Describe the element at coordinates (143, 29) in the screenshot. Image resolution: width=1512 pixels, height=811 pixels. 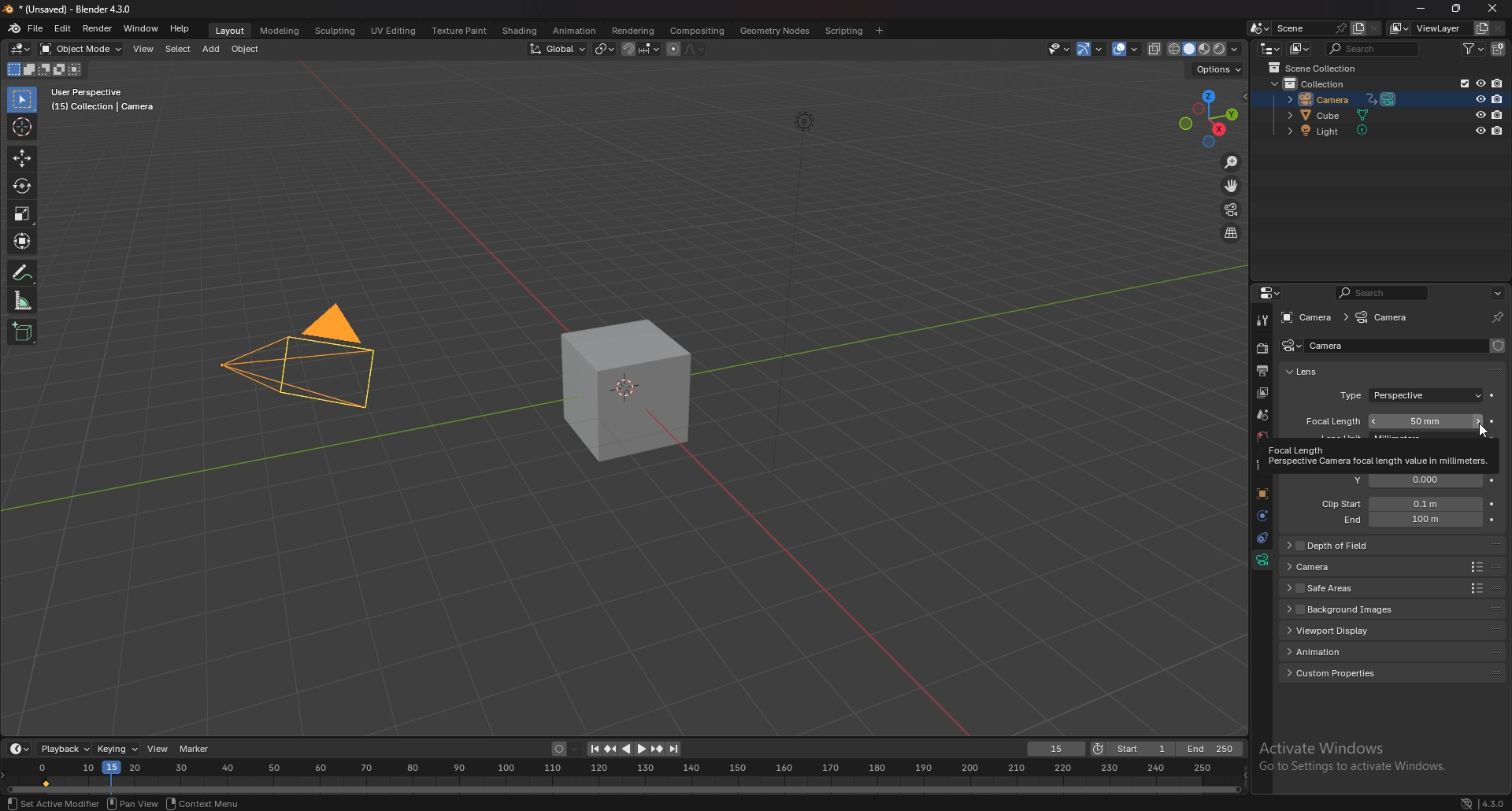
I see `window` at that location.